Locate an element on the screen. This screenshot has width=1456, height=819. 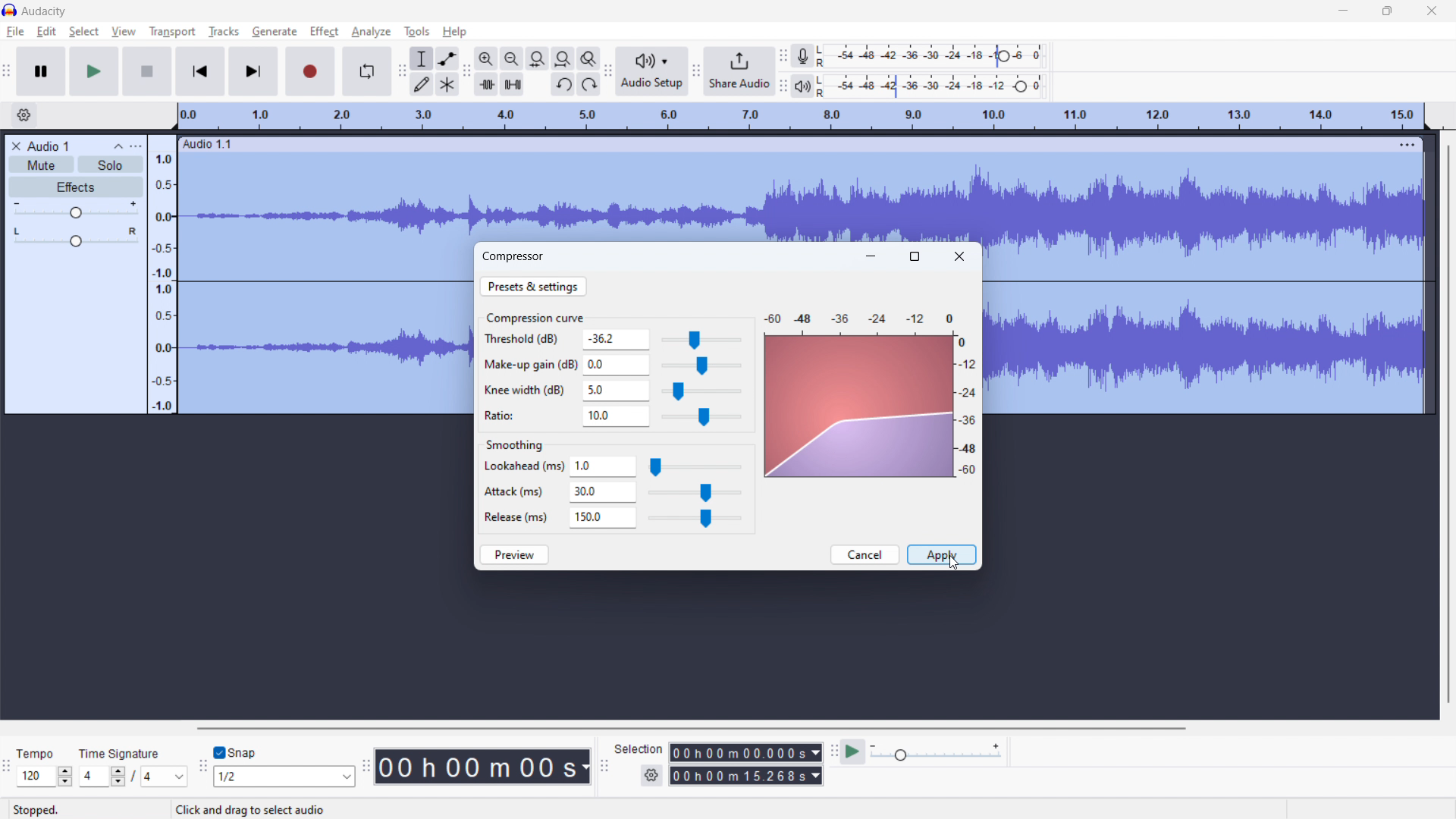
-36.2 is located at coordinates (617, 339).